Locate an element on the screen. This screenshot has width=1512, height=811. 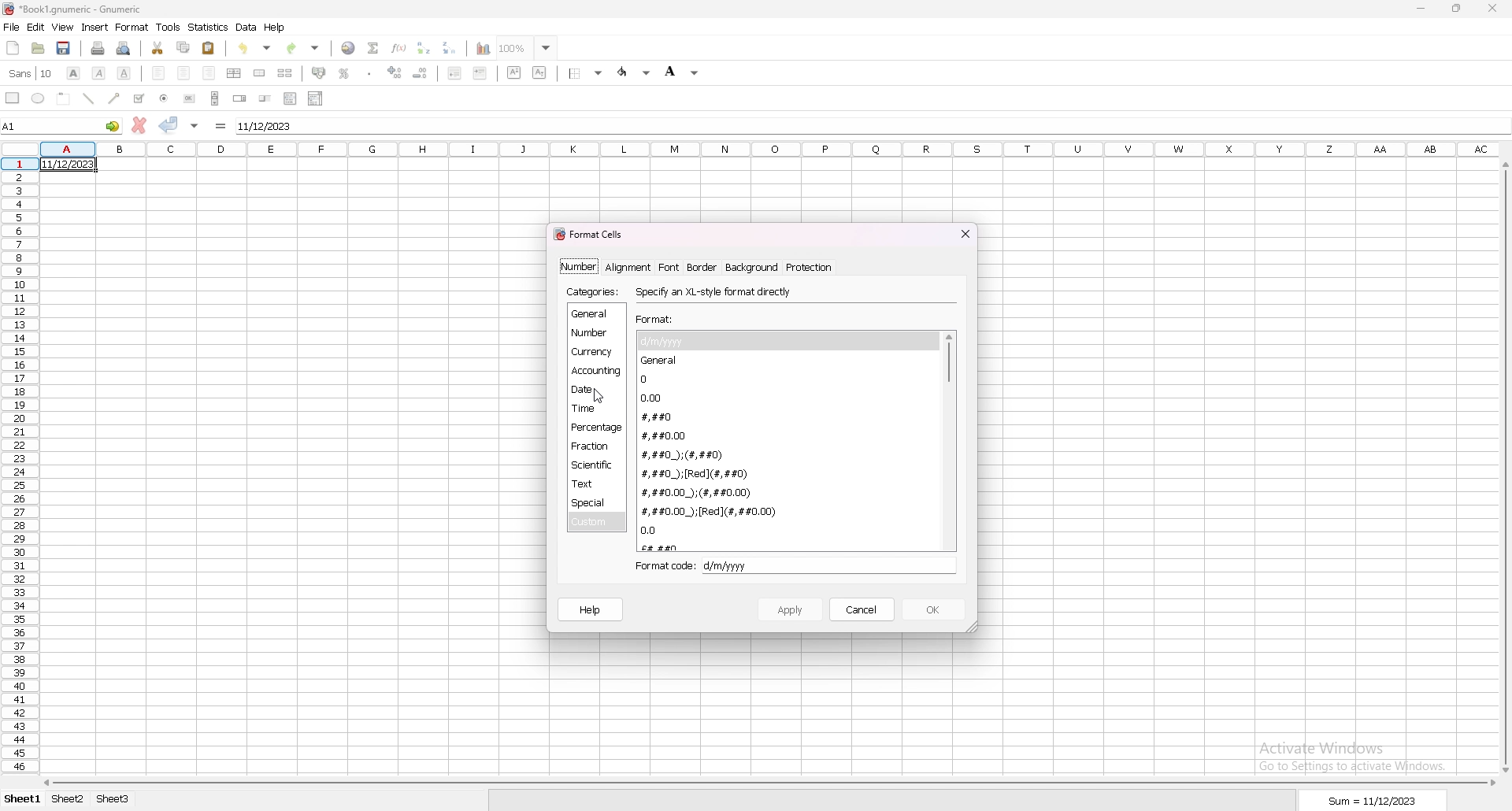
sort ascending is located at coordinates (424, 47).